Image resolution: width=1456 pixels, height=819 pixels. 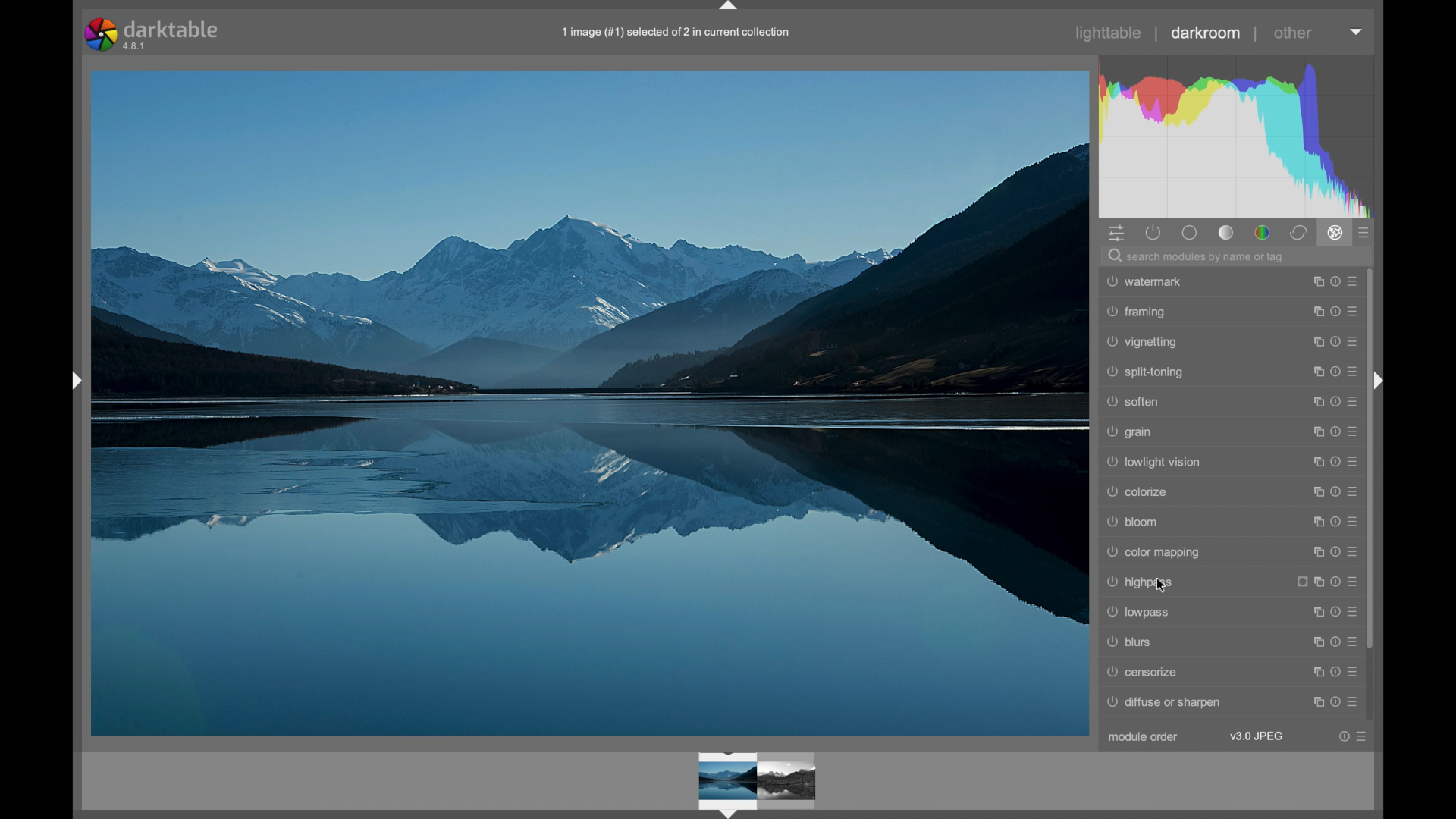 What do you see at coordinates (677, 33) in the screenshot?
I see `filename` at bounding box center [677, 33].